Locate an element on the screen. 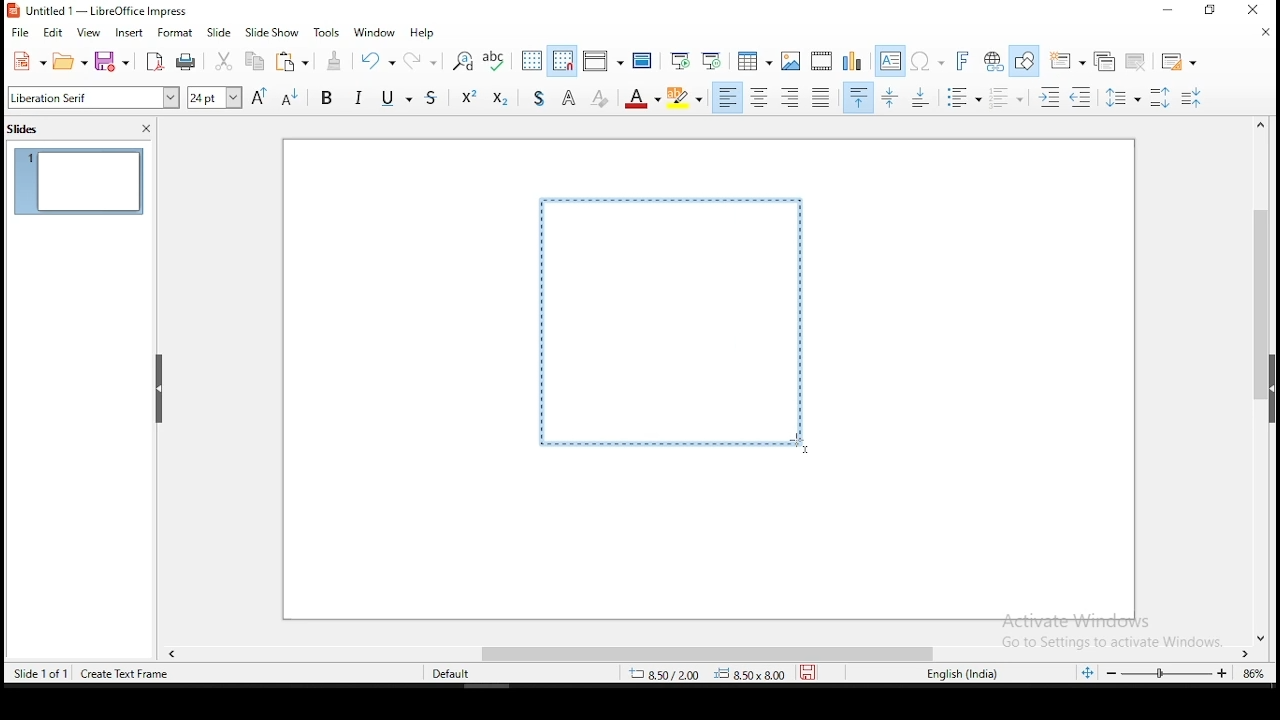  character highlighting color is located at coordinates (683, 97).